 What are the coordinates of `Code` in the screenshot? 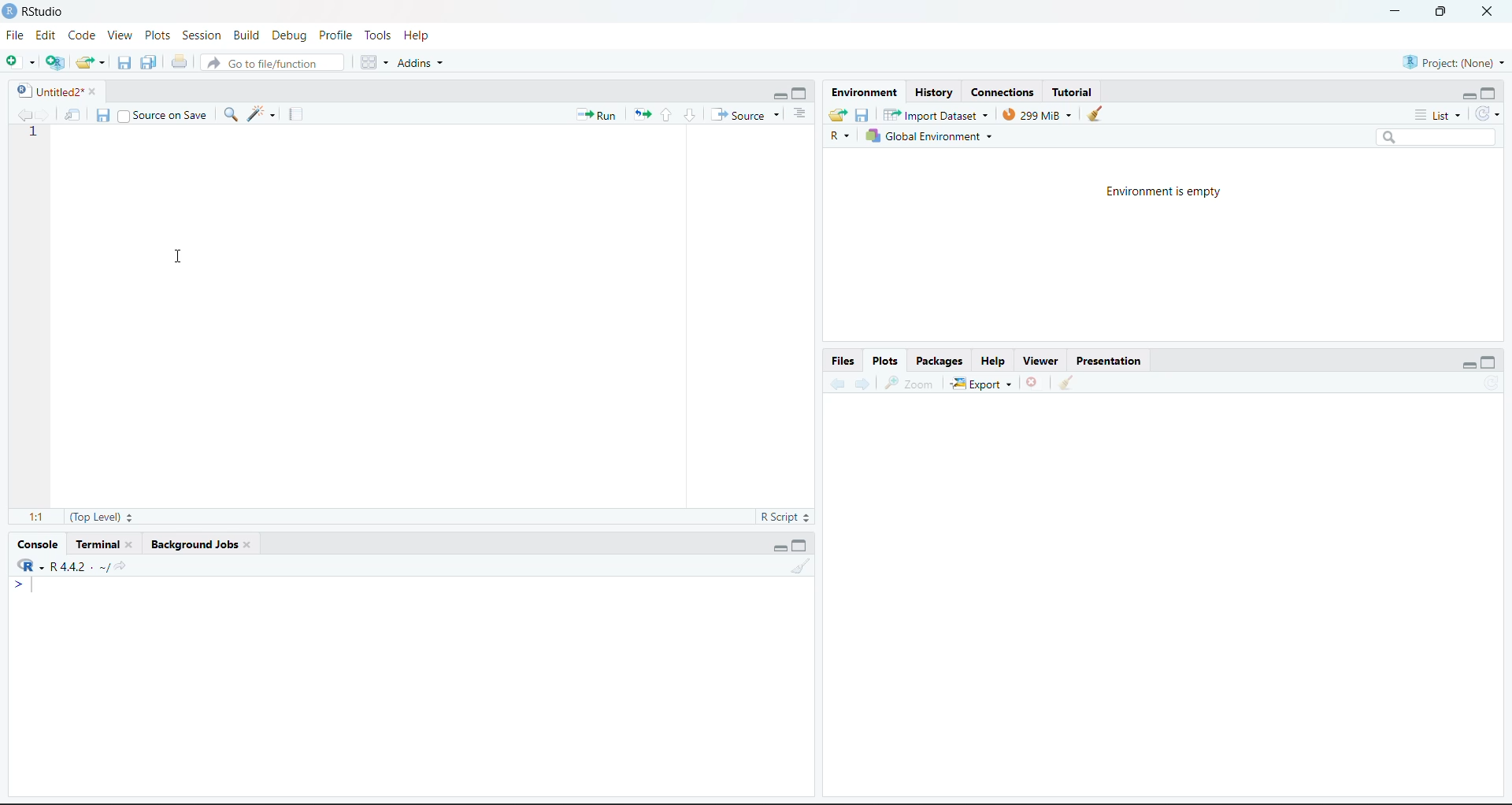 It's located at (82, 36).